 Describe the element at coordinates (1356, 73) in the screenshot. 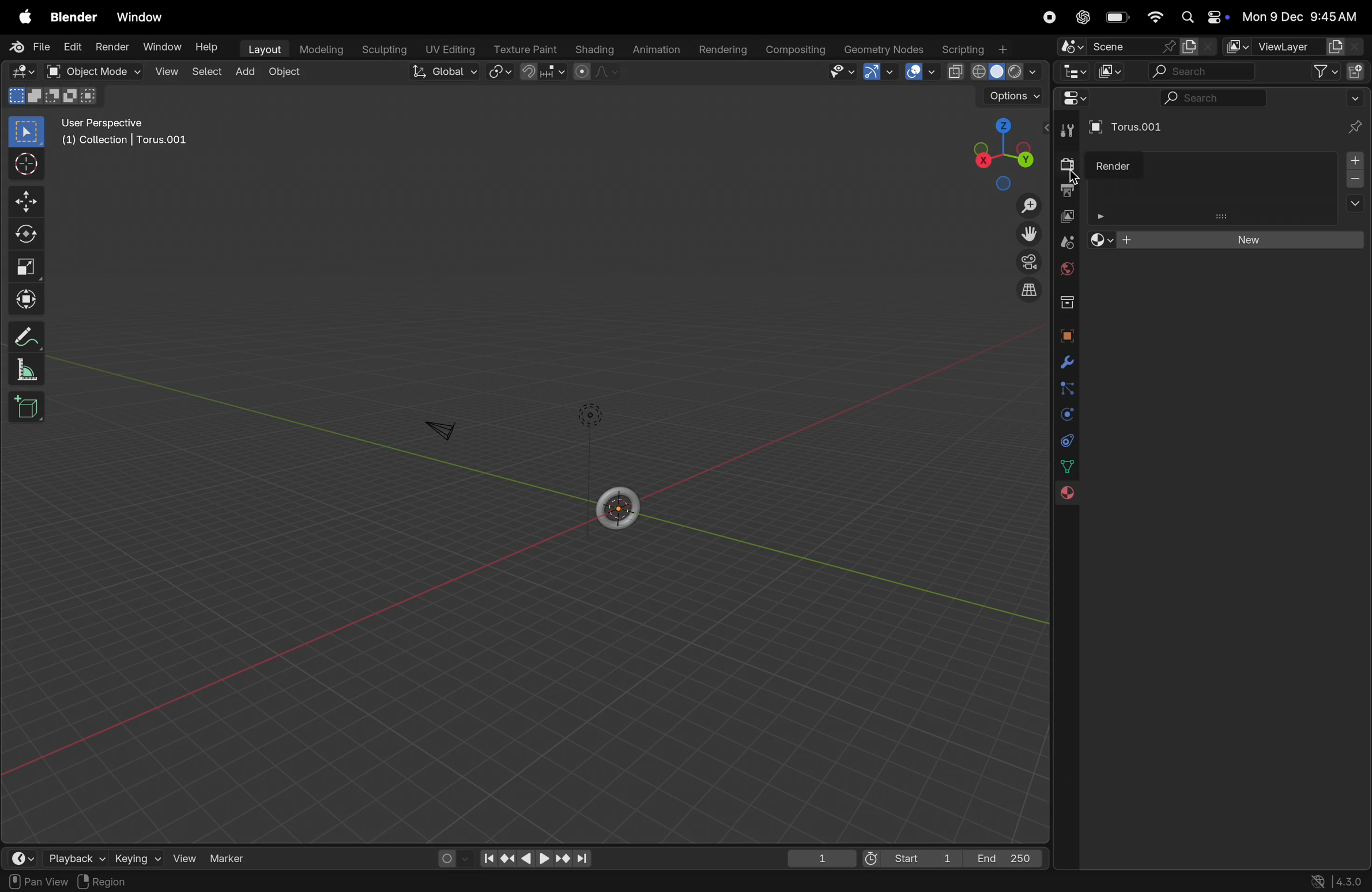

I see `new collection` at that location.